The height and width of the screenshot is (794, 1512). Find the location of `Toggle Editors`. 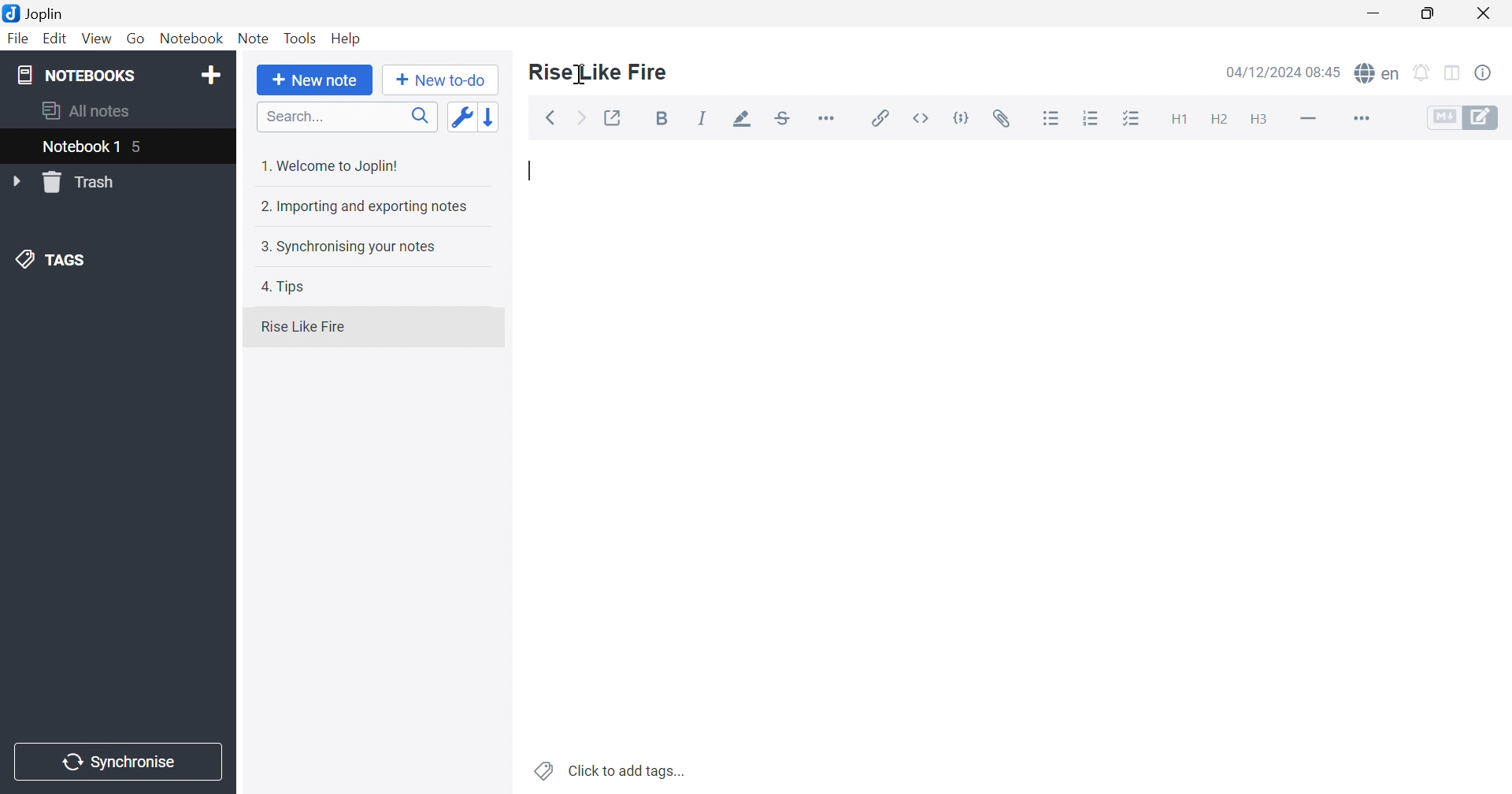

Toggle Editors is located at coordinates (1458, 121).